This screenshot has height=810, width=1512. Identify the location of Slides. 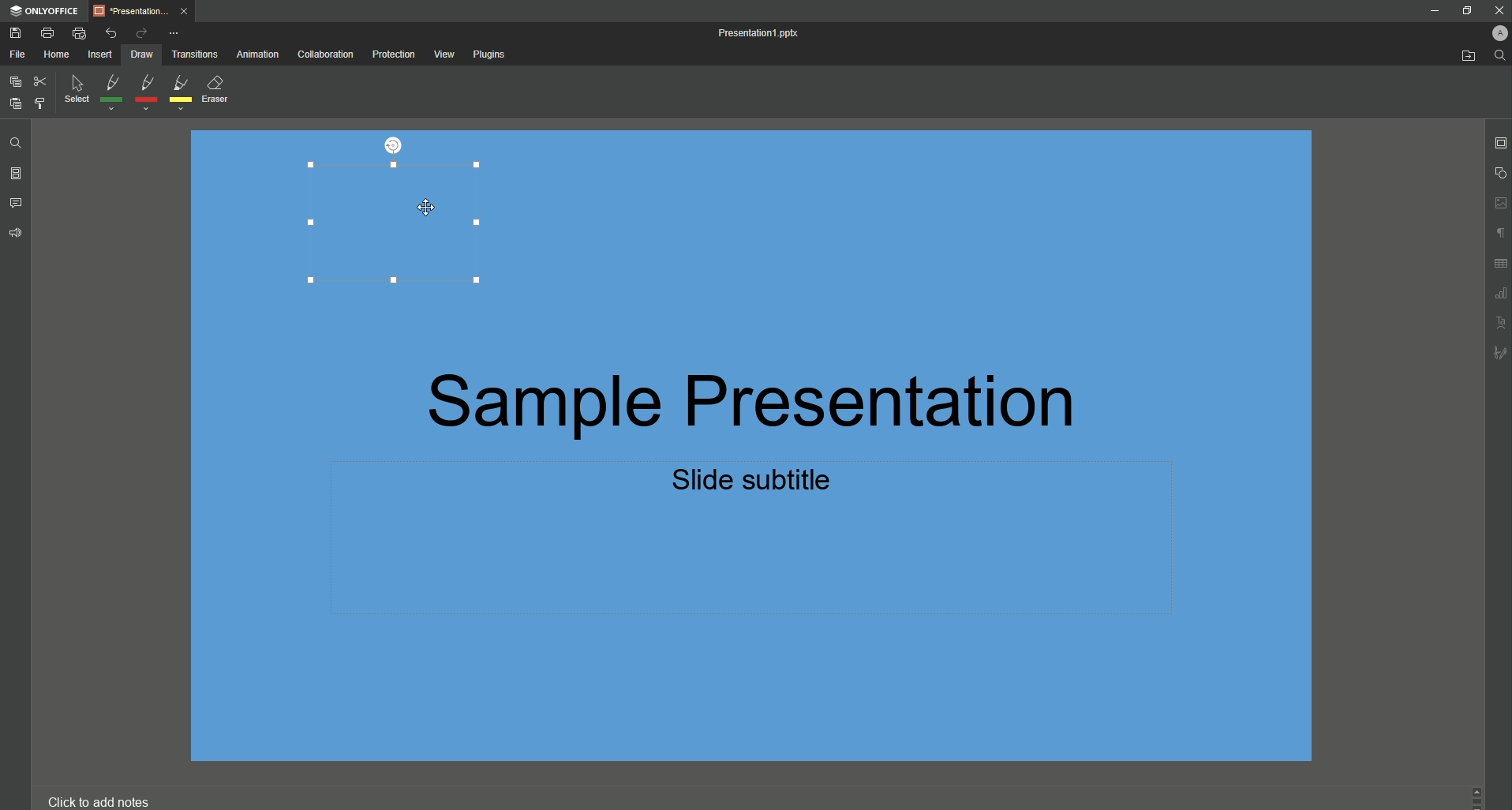
(17, 173).